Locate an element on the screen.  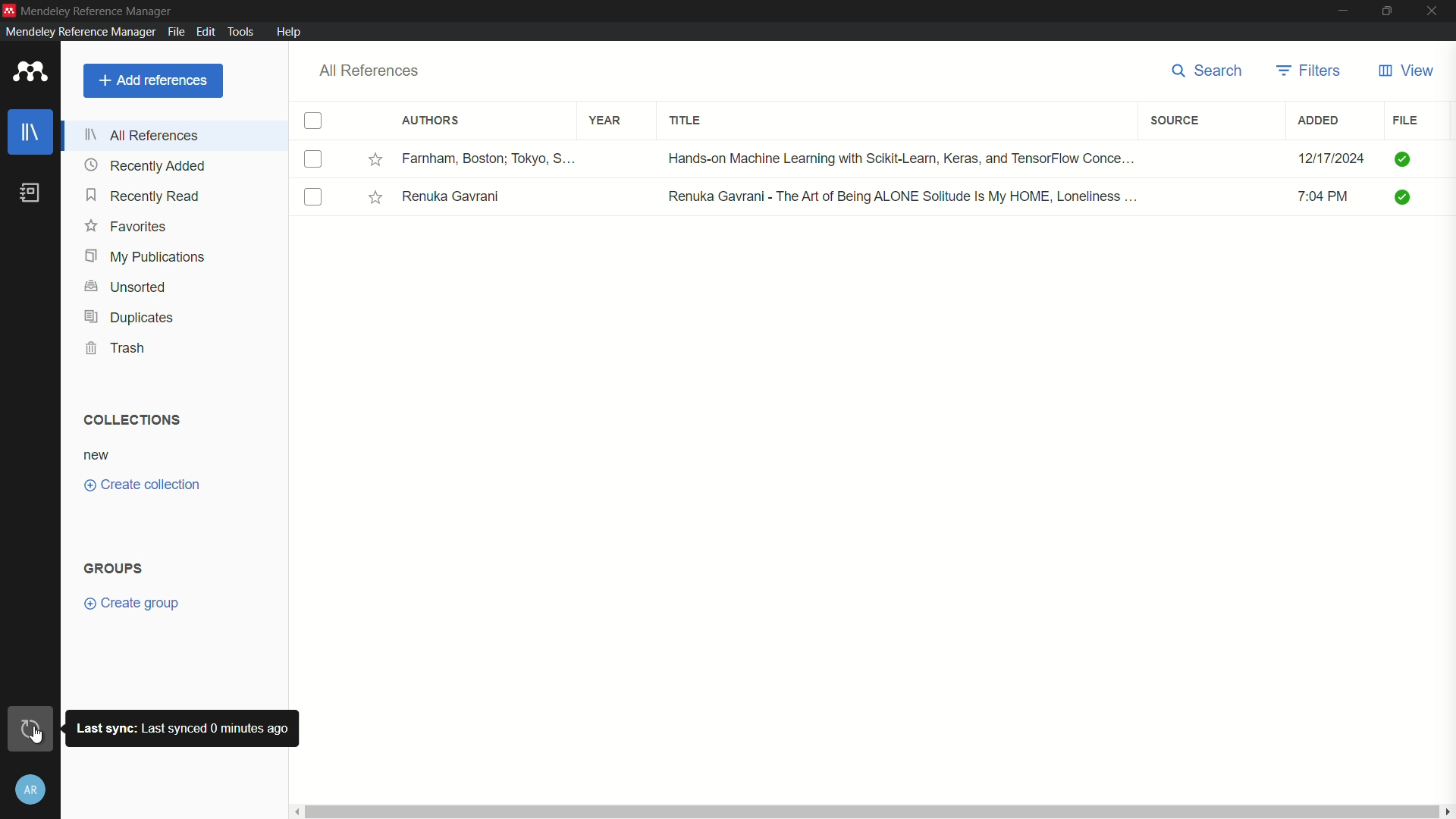
Checked is located at coordinates (1401, 161).